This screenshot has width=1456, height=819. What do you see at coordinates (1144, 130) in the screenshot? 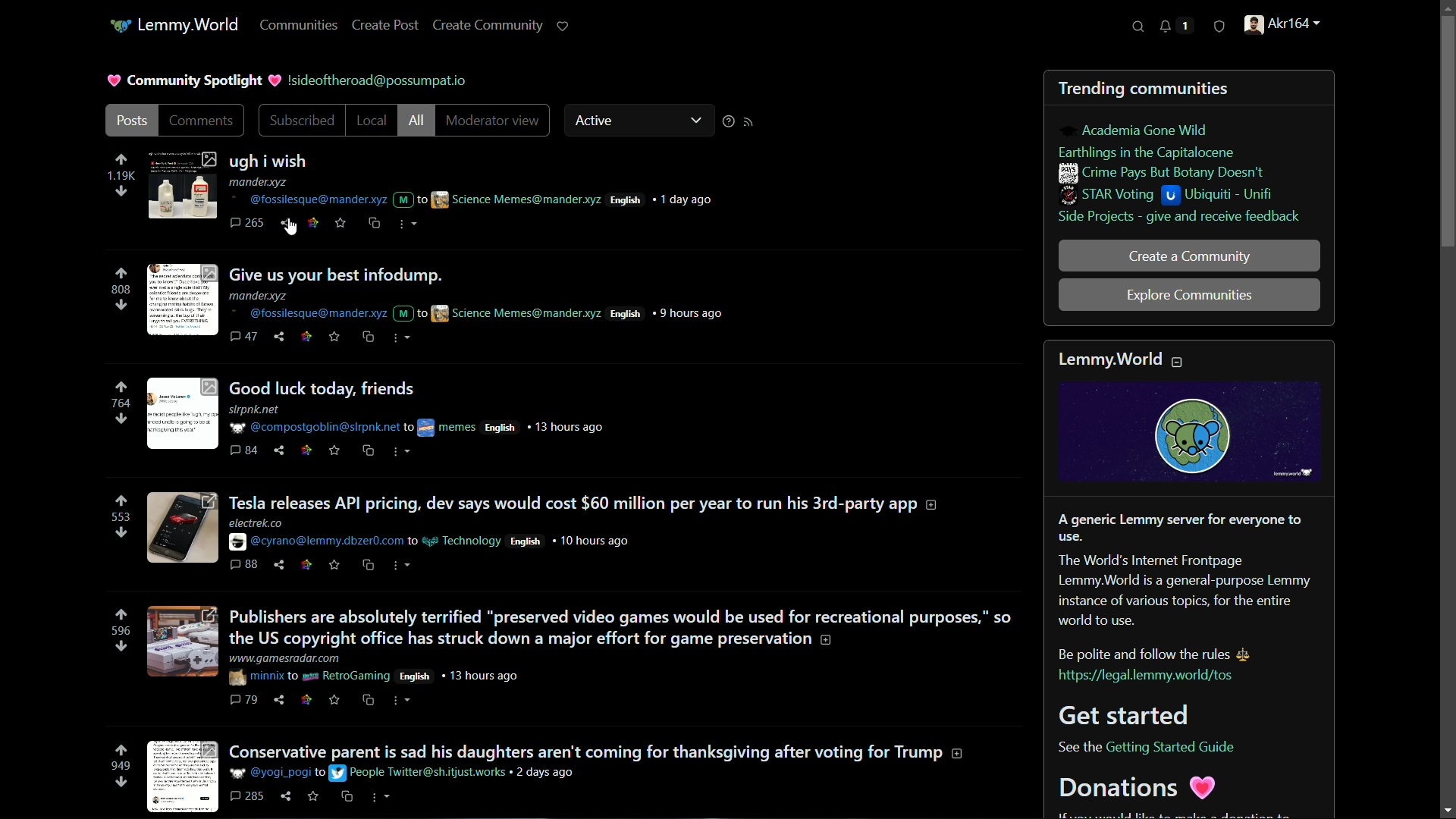
I see `academia gone wild` at bounding box center [1144, 130].